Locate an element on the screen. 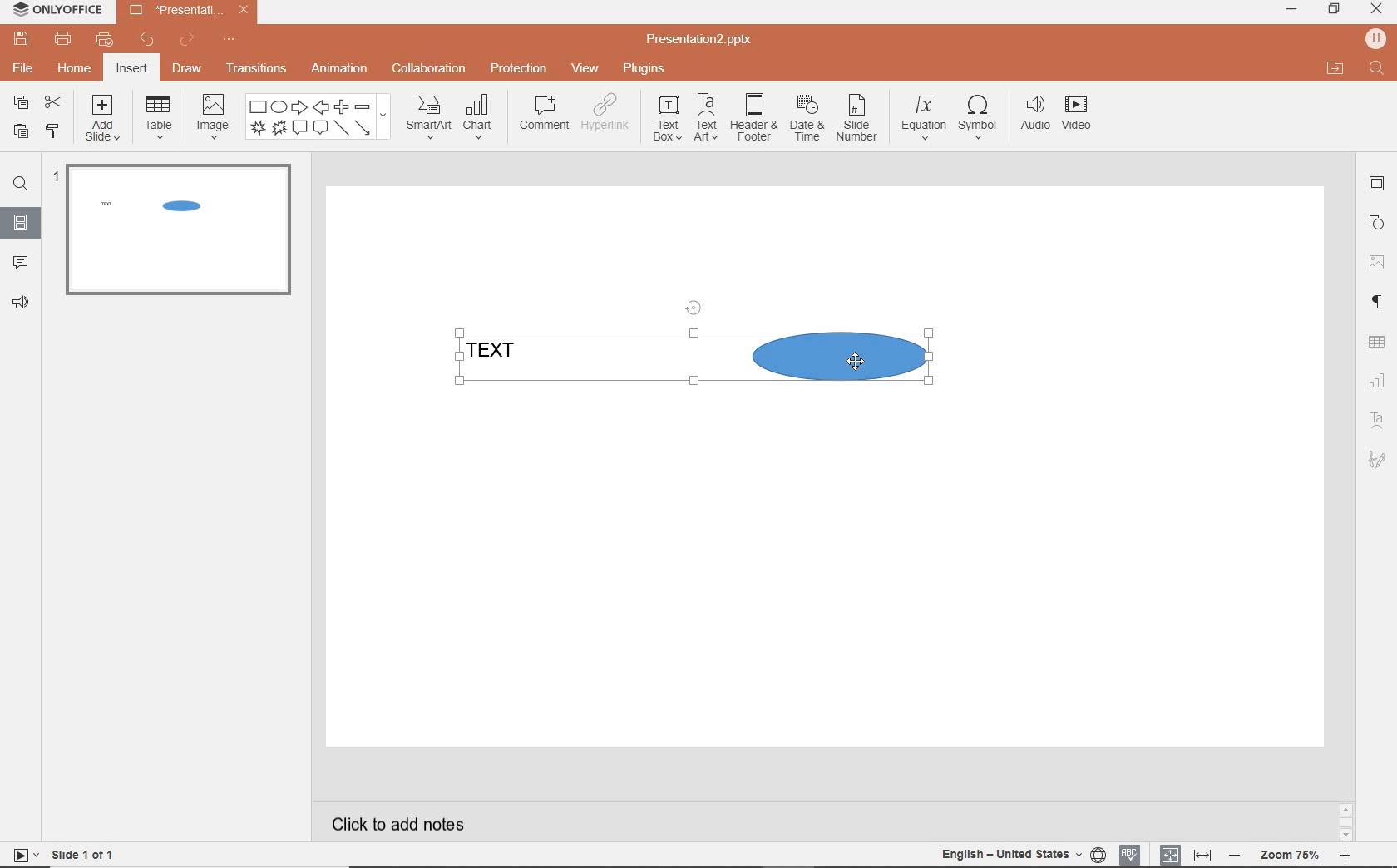  view is located at coordinates (582, 69).